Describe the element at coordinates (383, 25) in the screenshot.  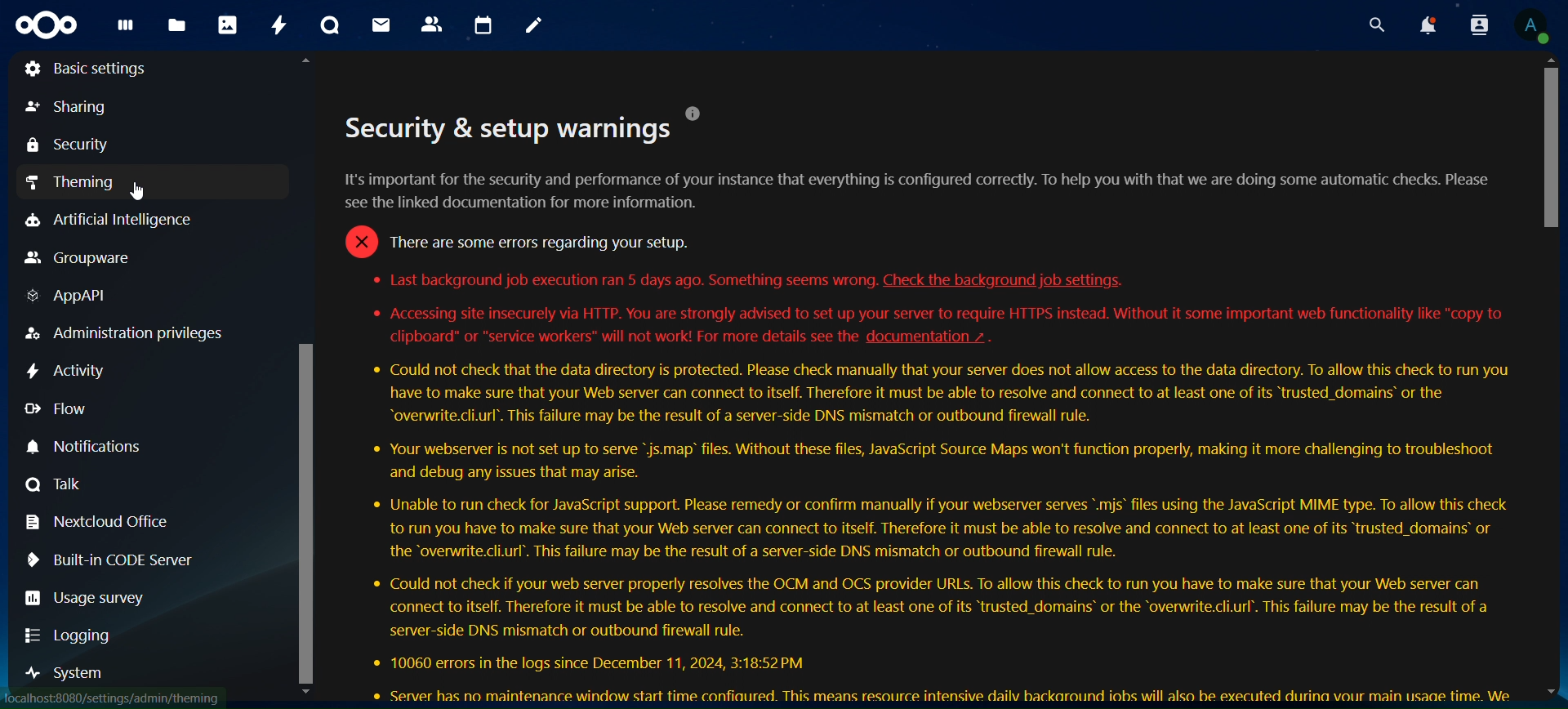
I see `mail` at that location.